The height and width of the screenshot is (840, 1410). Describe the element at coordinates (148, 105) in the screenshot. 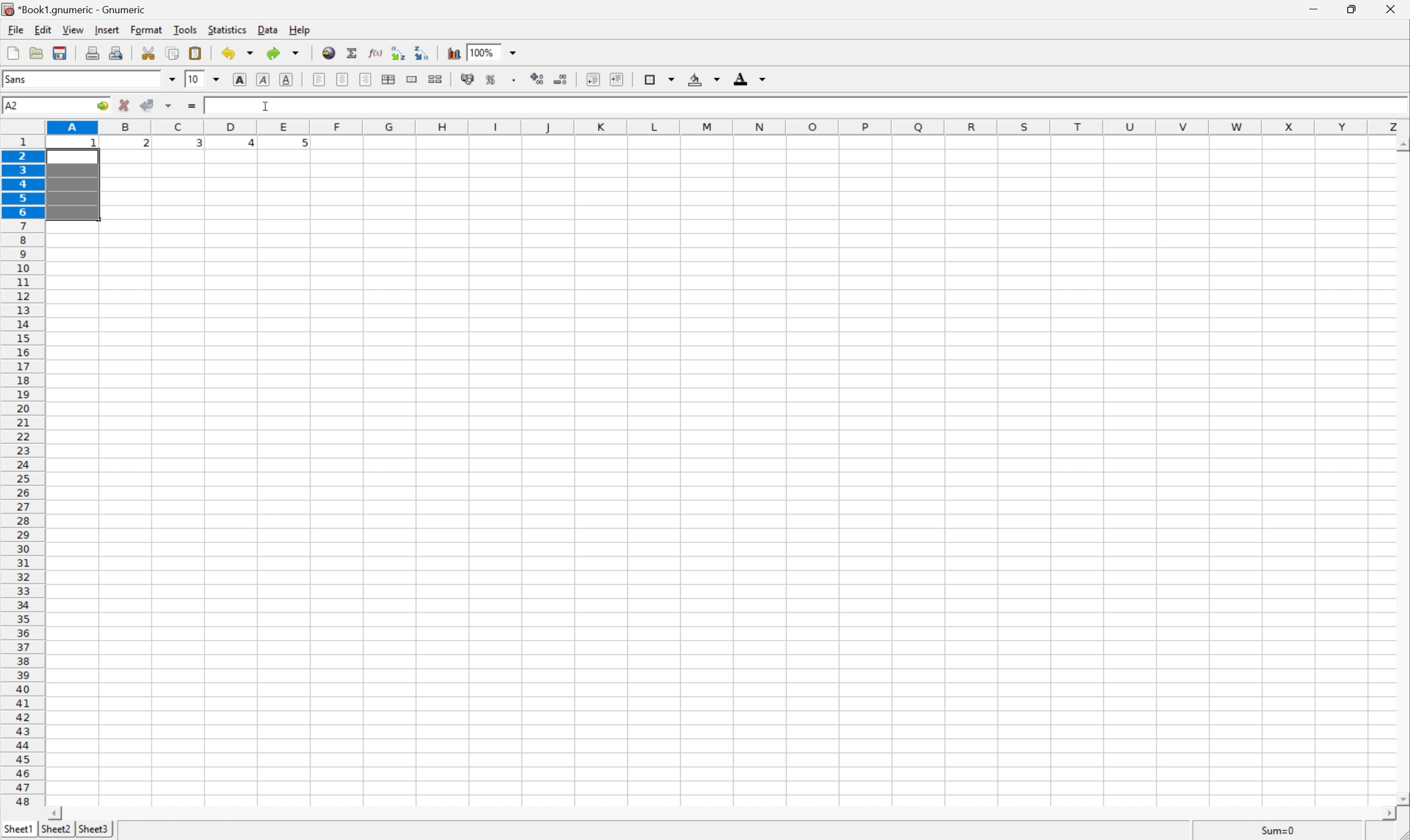

I see `accept changes` at that location.